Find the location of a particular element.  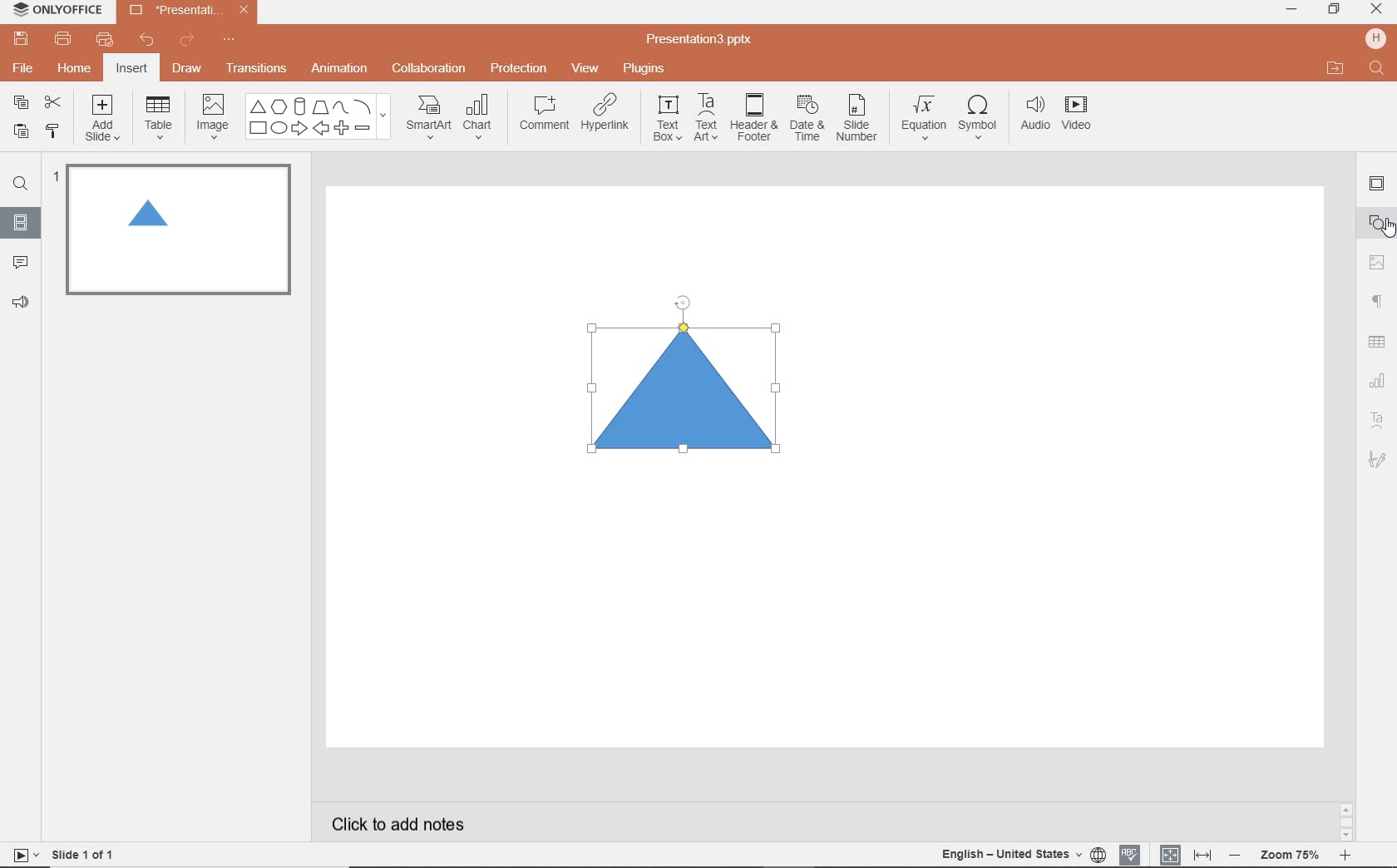

SAVE is located at coordinates (23, 37).